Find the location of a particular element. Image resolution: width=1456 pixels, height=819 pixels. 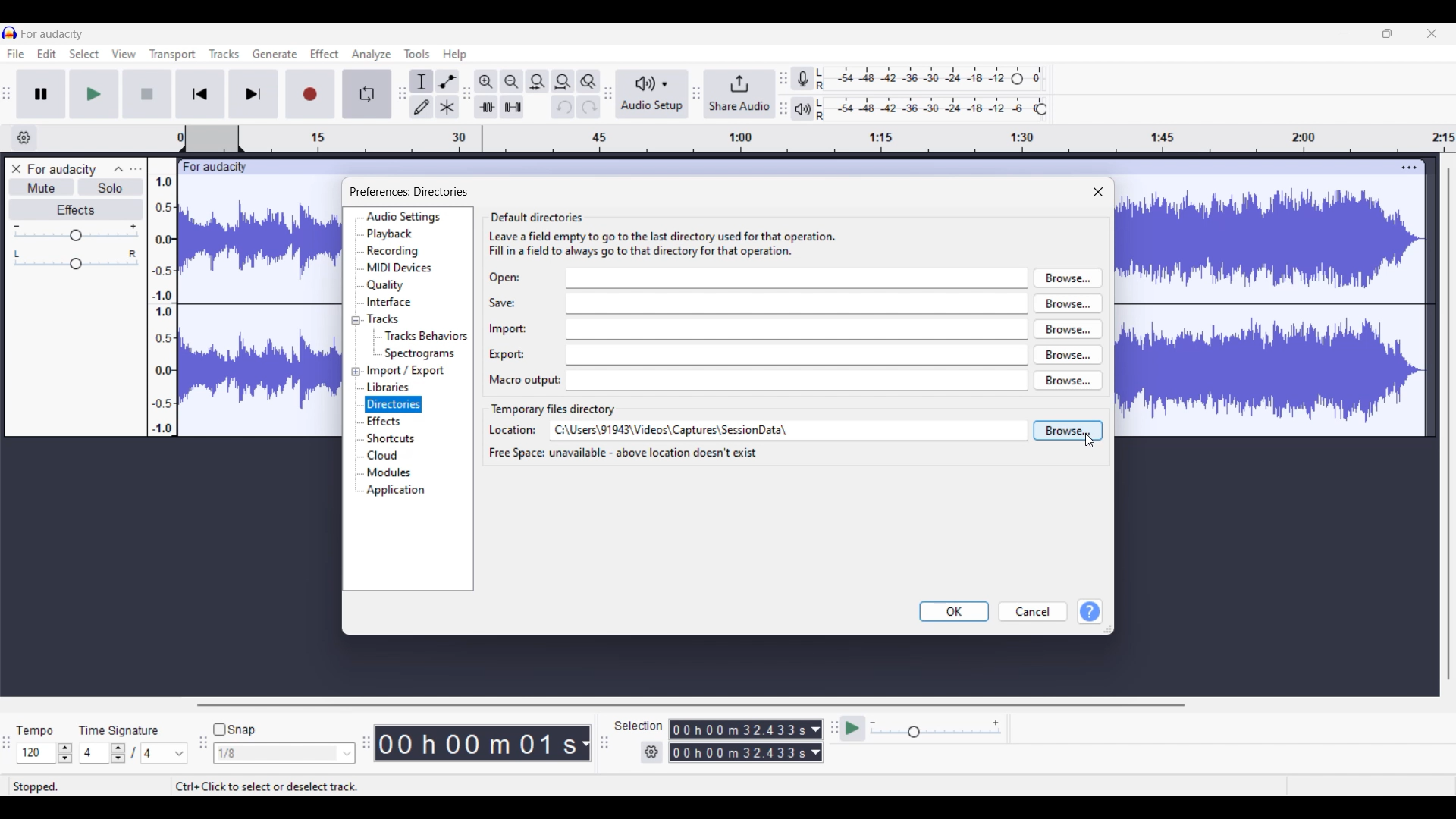

Skip/Select to end is located at coordinates (254, 94).